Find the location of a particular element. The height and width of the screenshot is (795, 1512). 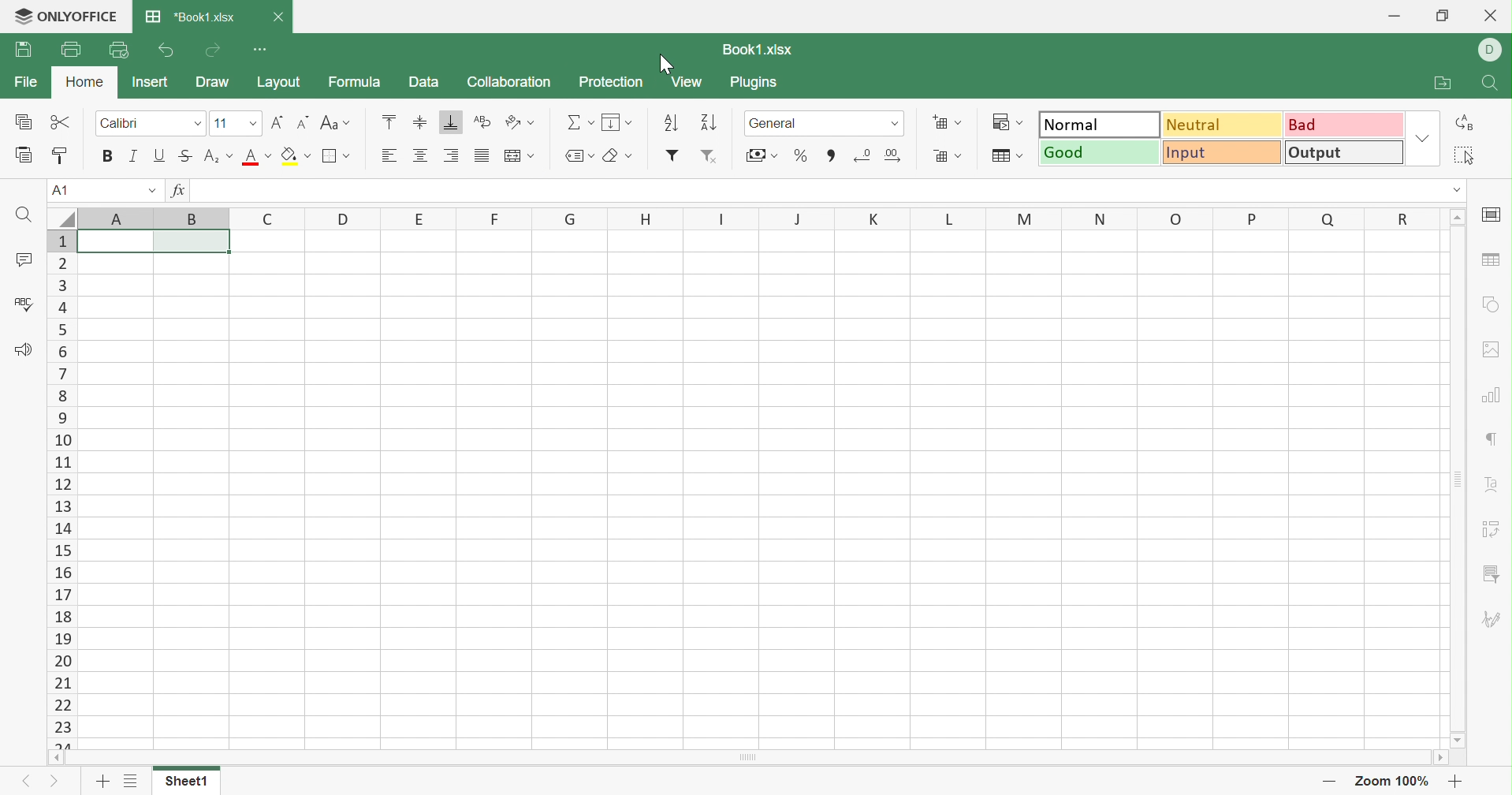

Redo is located at coordinates (212, 52).